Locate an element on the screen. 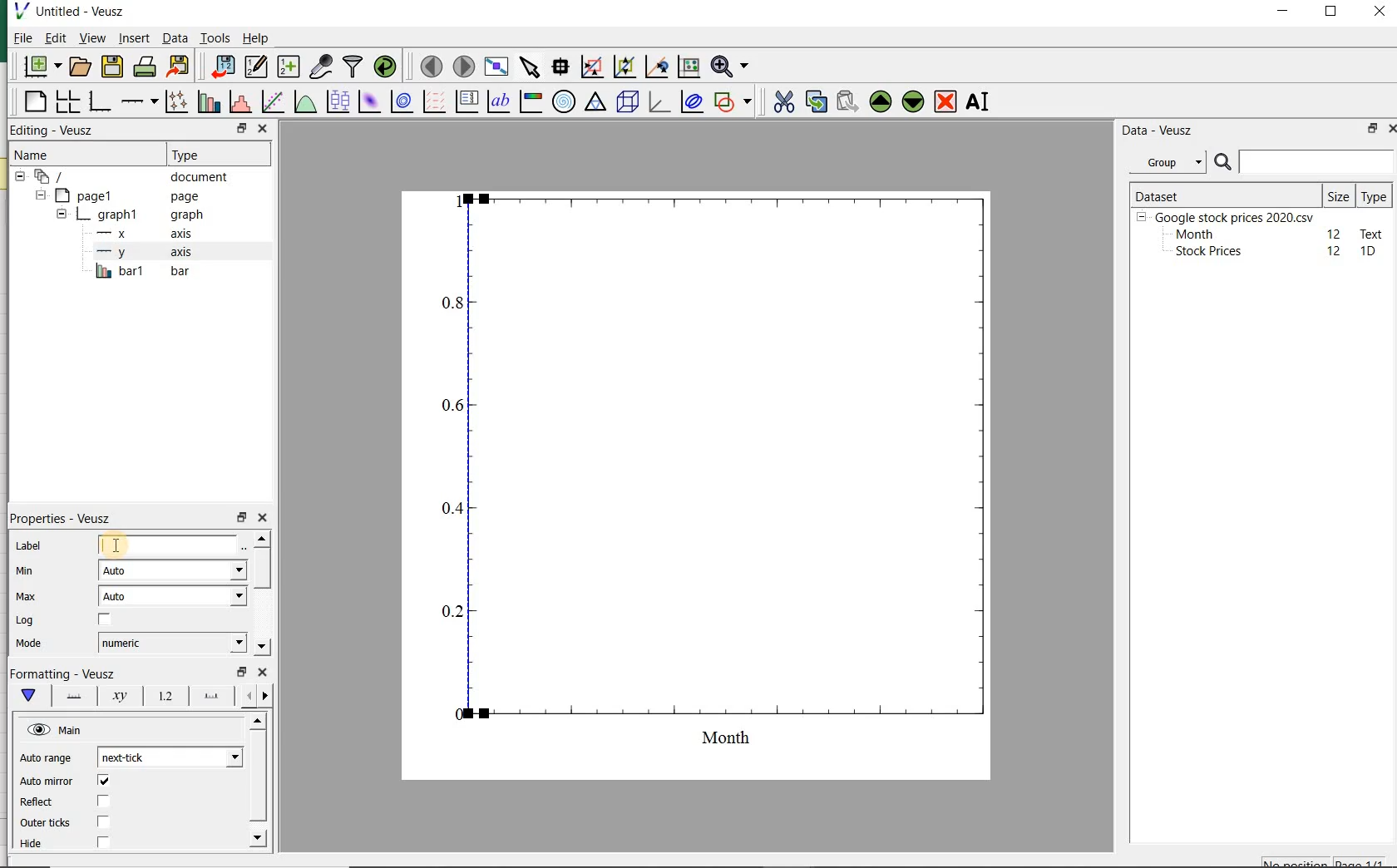  Main is located at coordinates (56, 730).